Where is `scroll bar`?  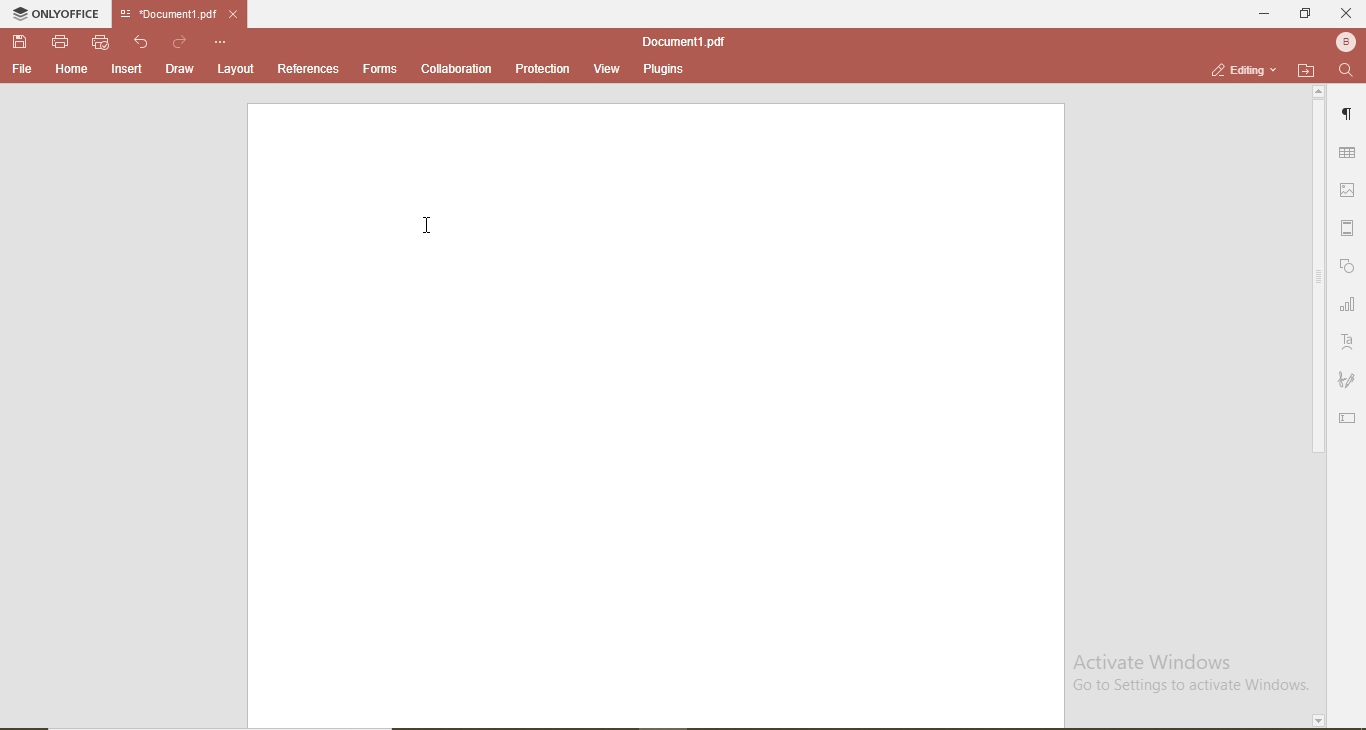 scroll bar is located at coordinates (1318, 407).